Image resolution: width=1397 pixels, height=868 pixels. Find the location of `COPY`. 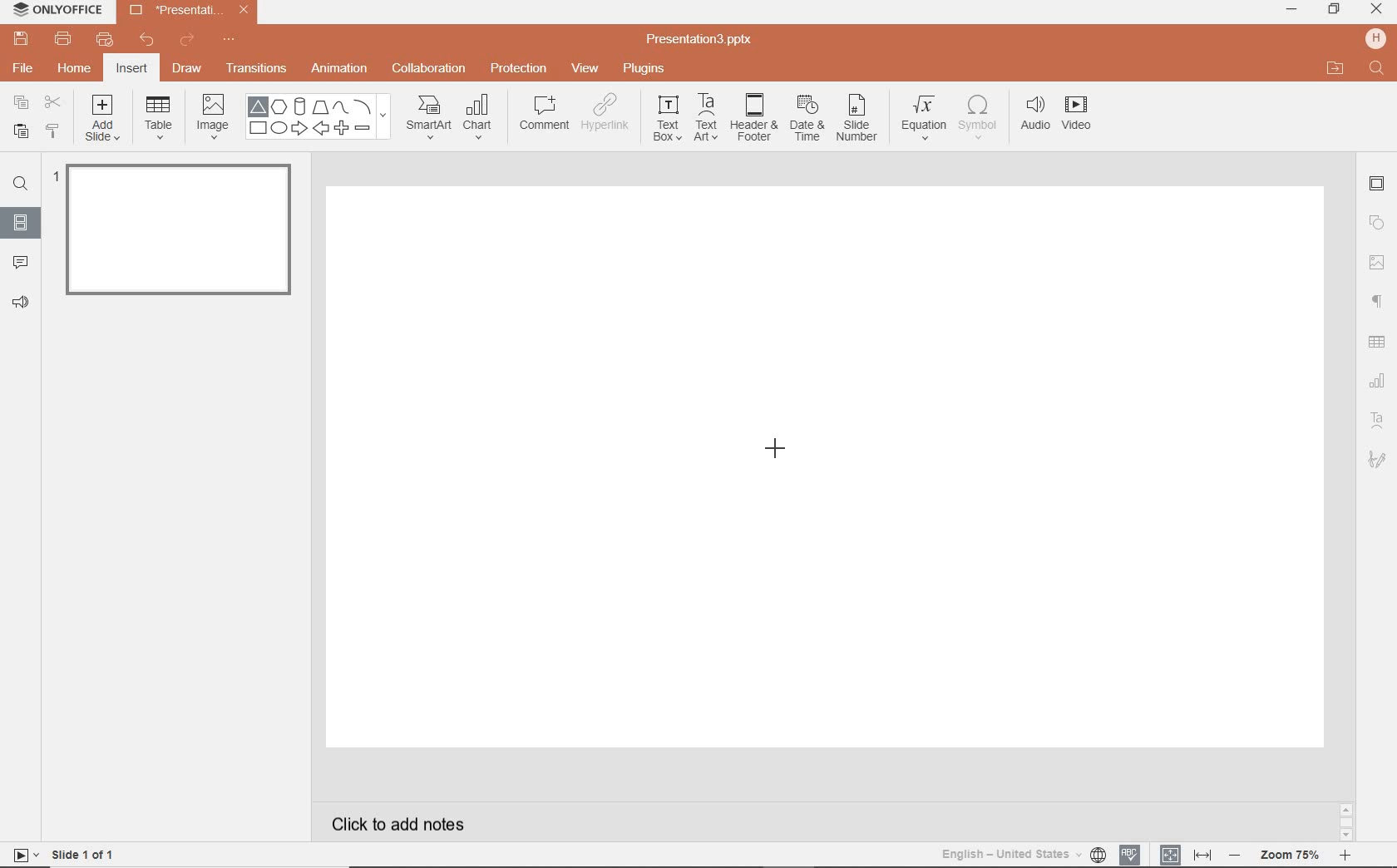

COPY is located at coordinates (22, 105).